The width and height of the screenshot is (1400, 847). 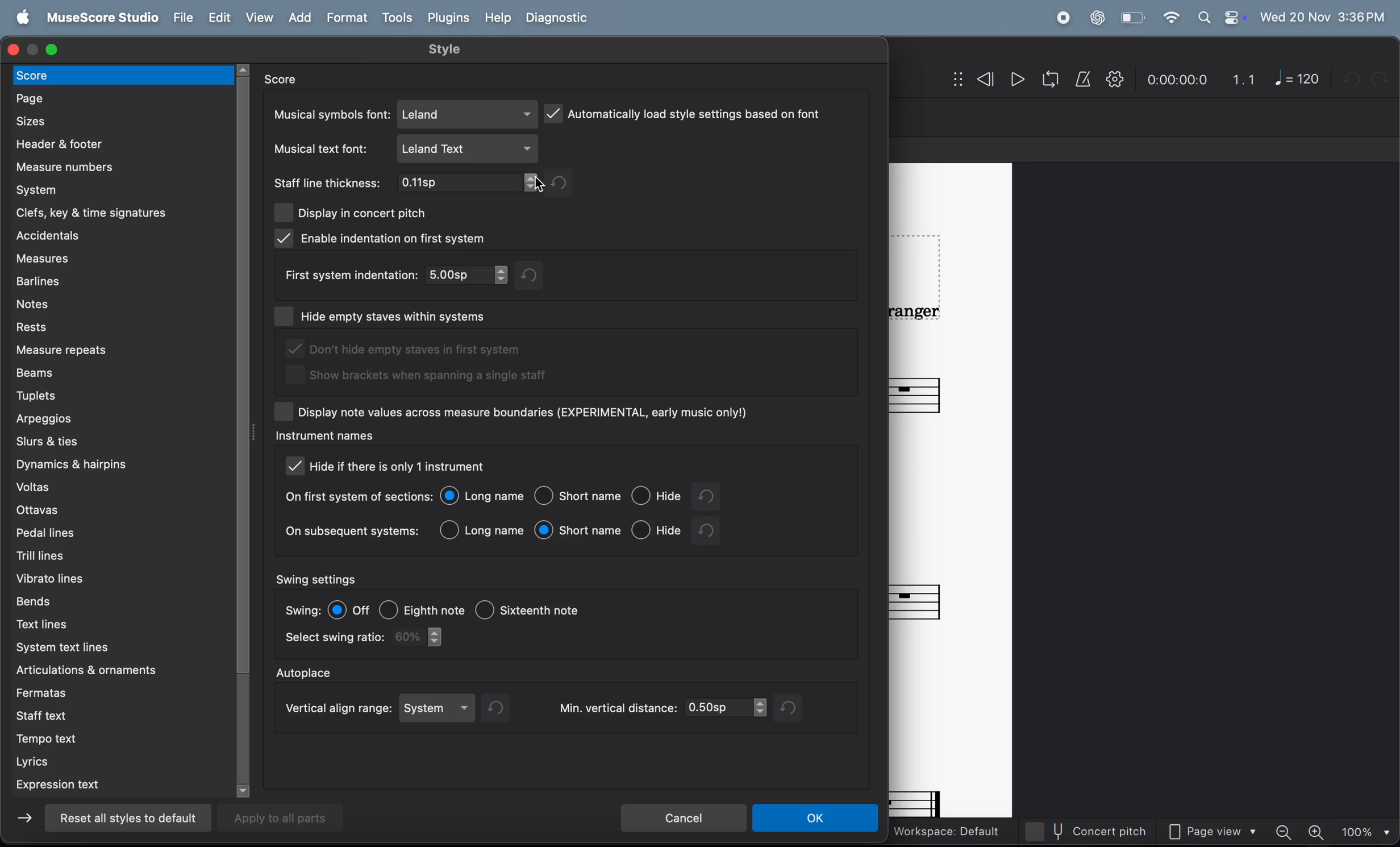 I want to click on maximize, so click(x=53, y=48).